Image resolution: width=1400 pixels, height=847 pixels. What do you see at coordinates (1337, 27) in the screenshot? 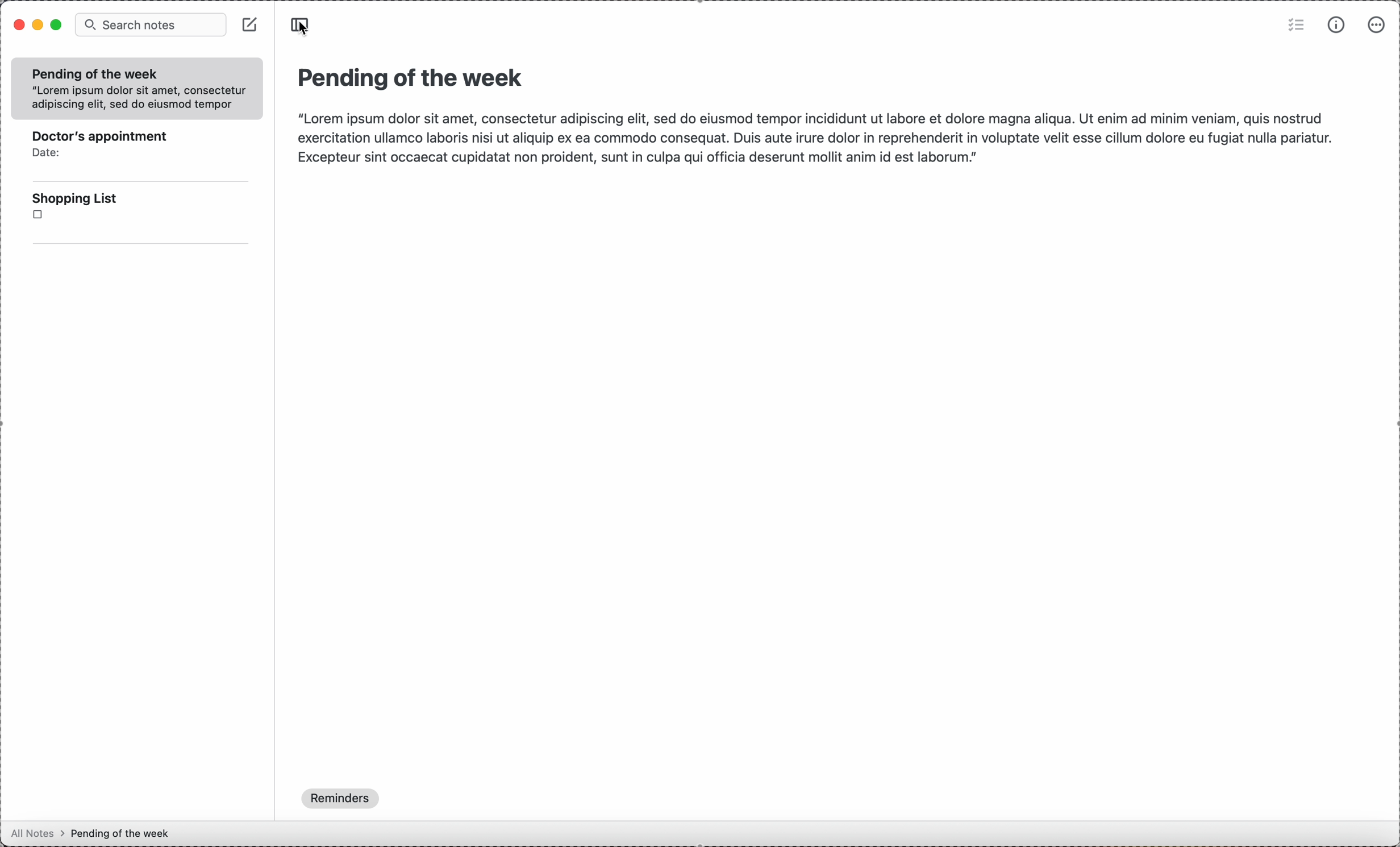
I see `metrics` at bounding box center [1337, 27].